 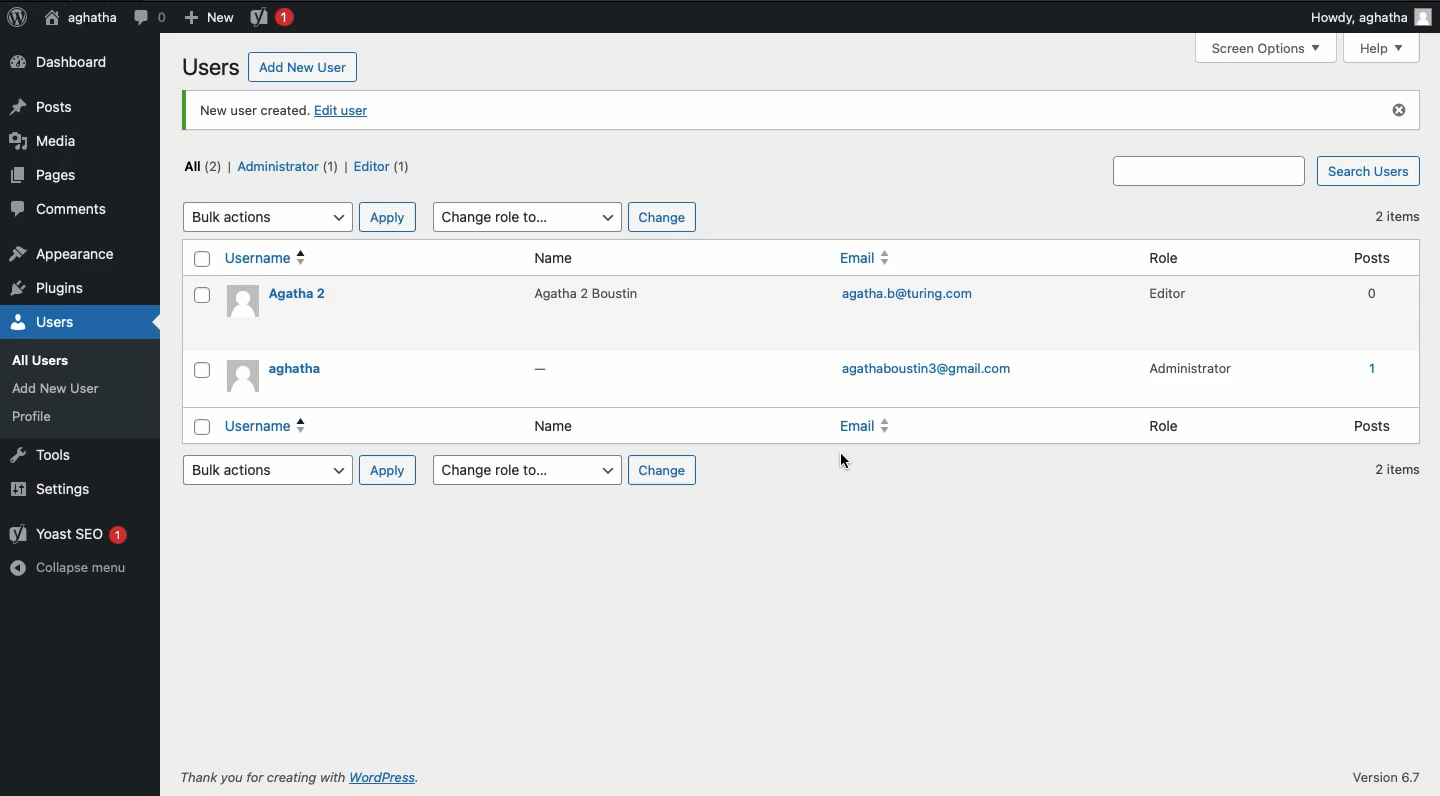 What do you see at coordinates (1211, 170) in the screenshot?
I see `Search users` at bounding box center [1211, 170].